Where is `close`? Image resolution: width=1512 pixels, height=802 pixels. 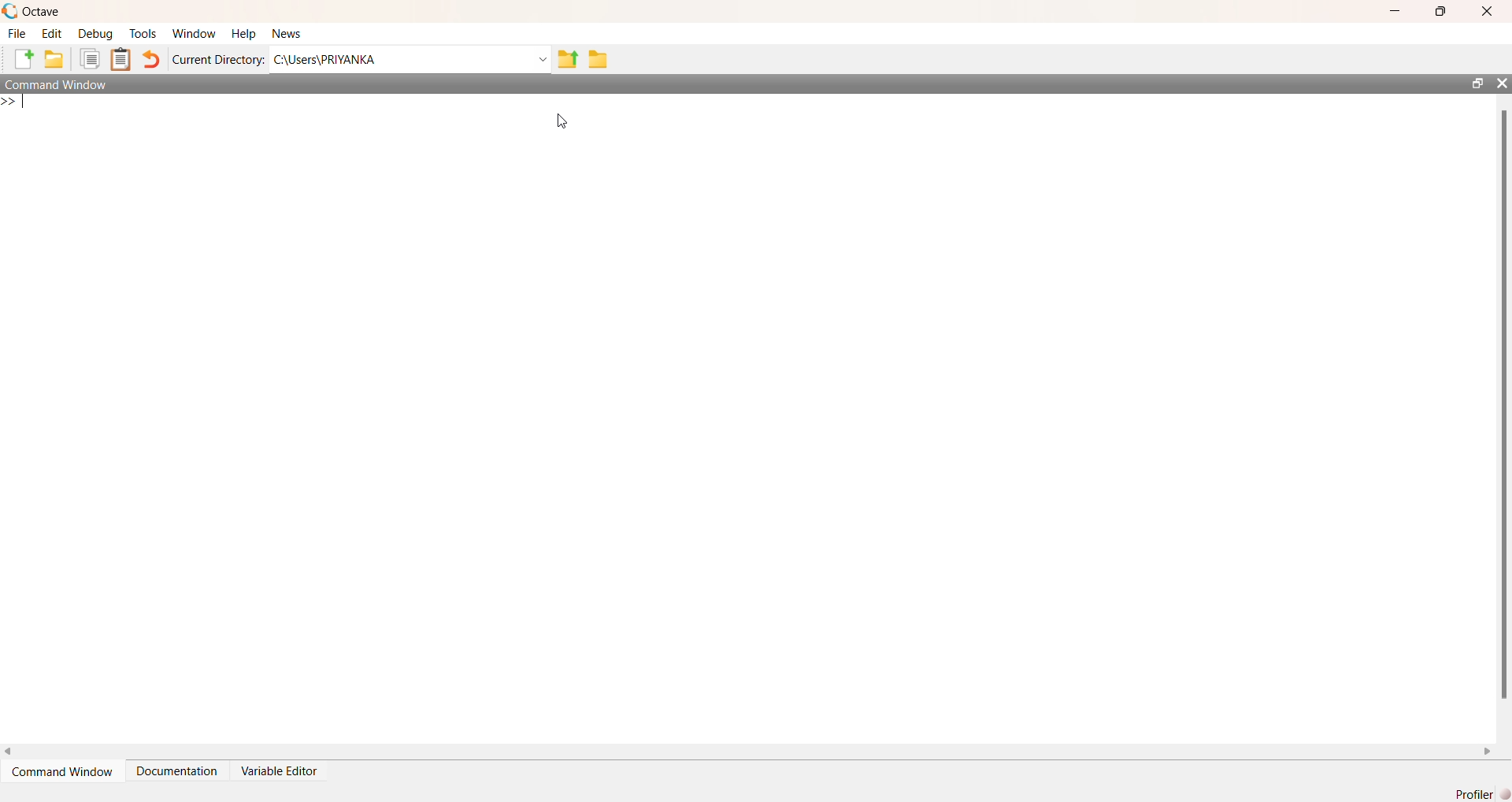 close is located at coordinates (1492, 9).